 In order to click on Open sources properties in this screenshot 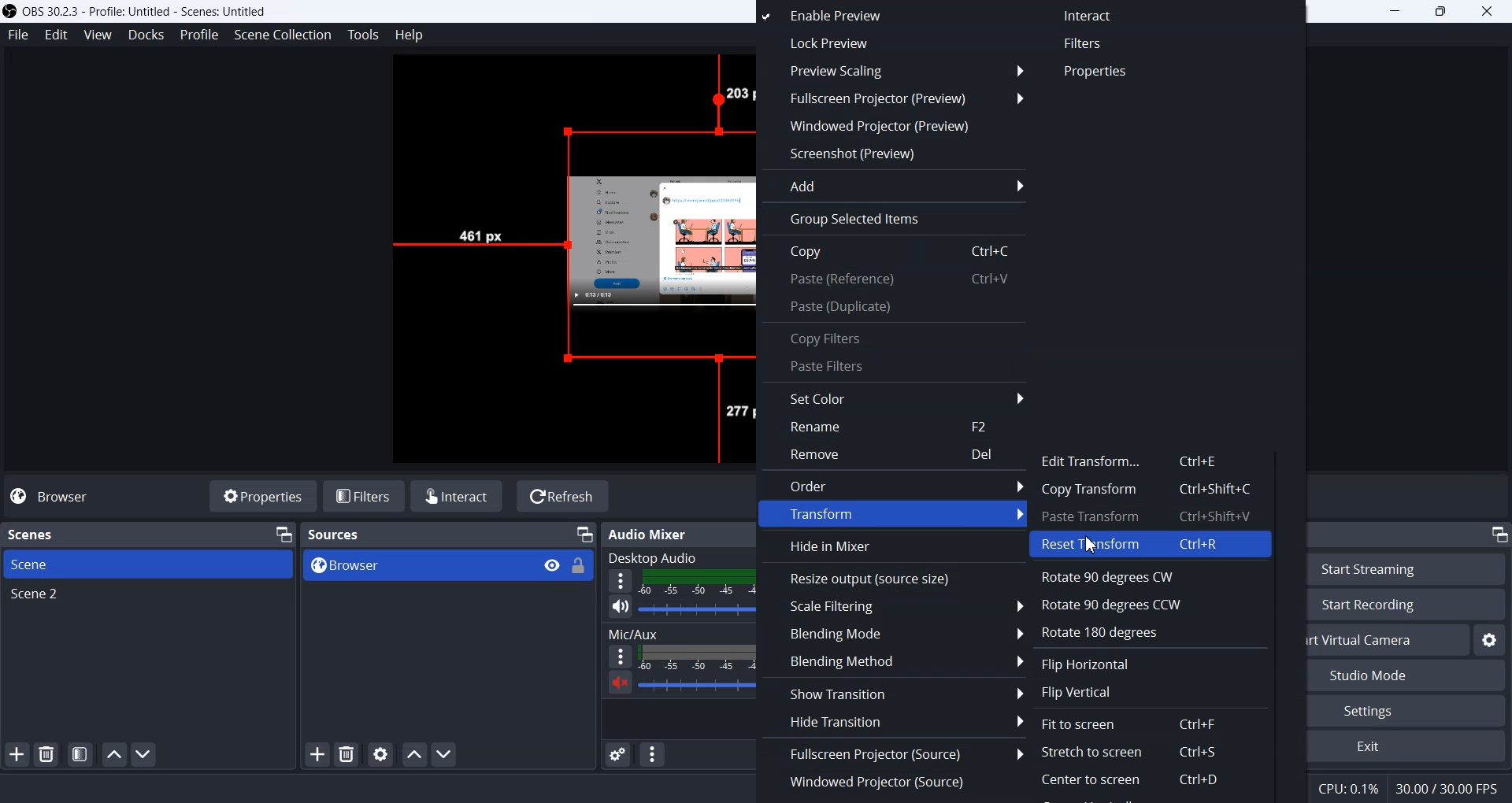, I will do `click(380, 755)`.